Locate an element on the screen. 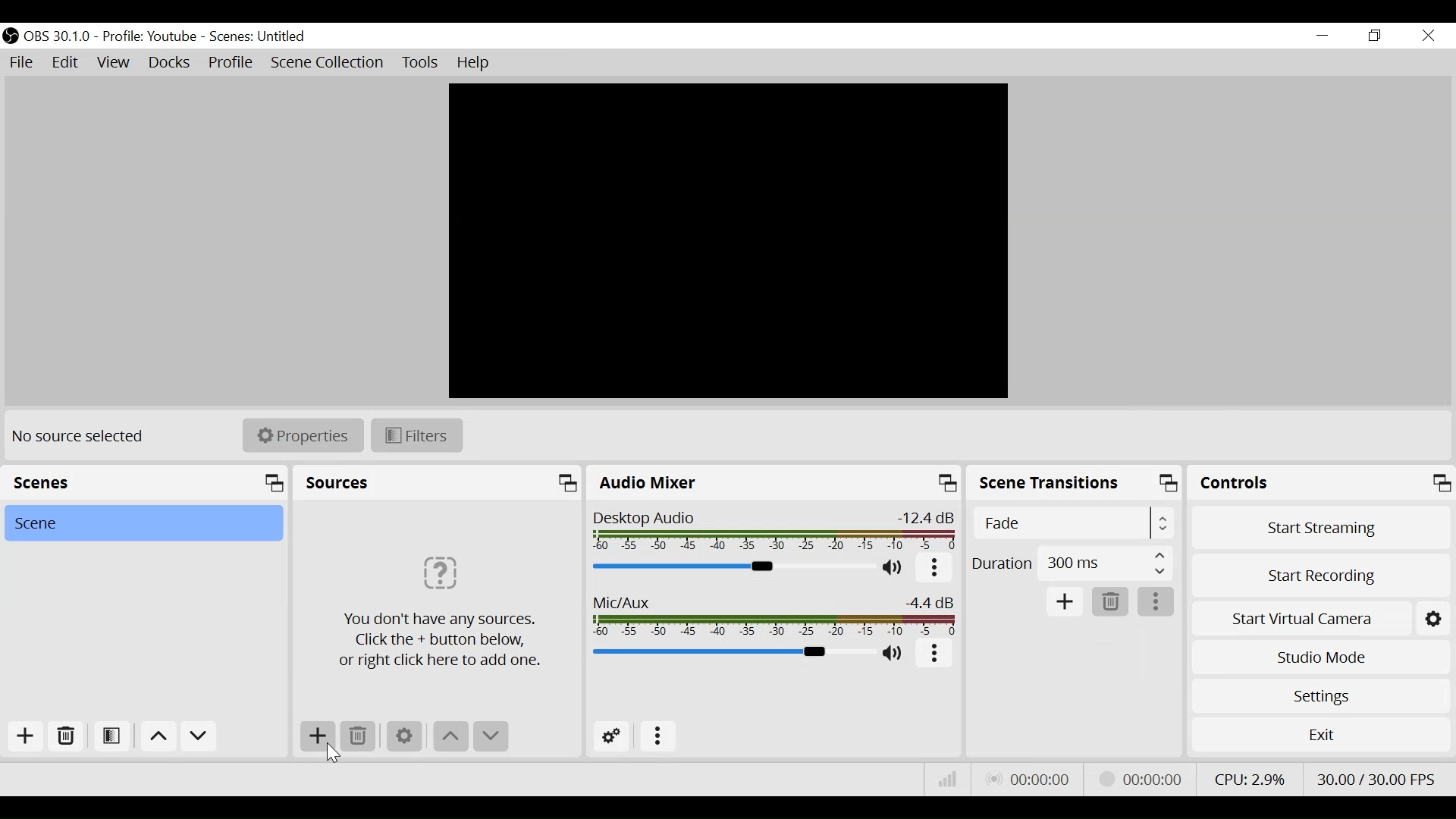  Studio Mode is located at coordinates (1320, 657).